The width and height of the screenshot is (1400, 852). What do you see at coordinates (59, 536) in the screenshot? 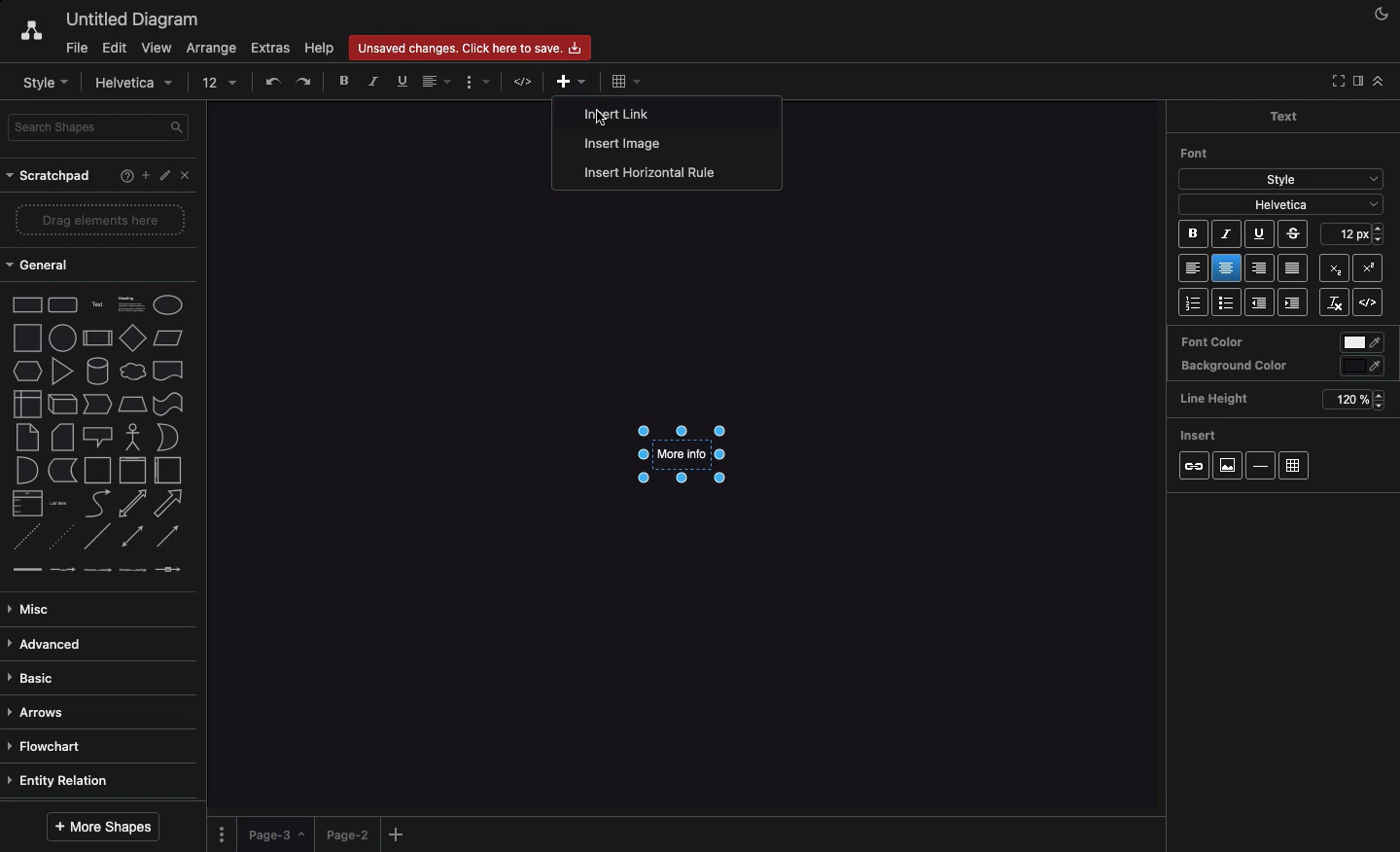
I see `dotted line` at bounding box center [59, 536].